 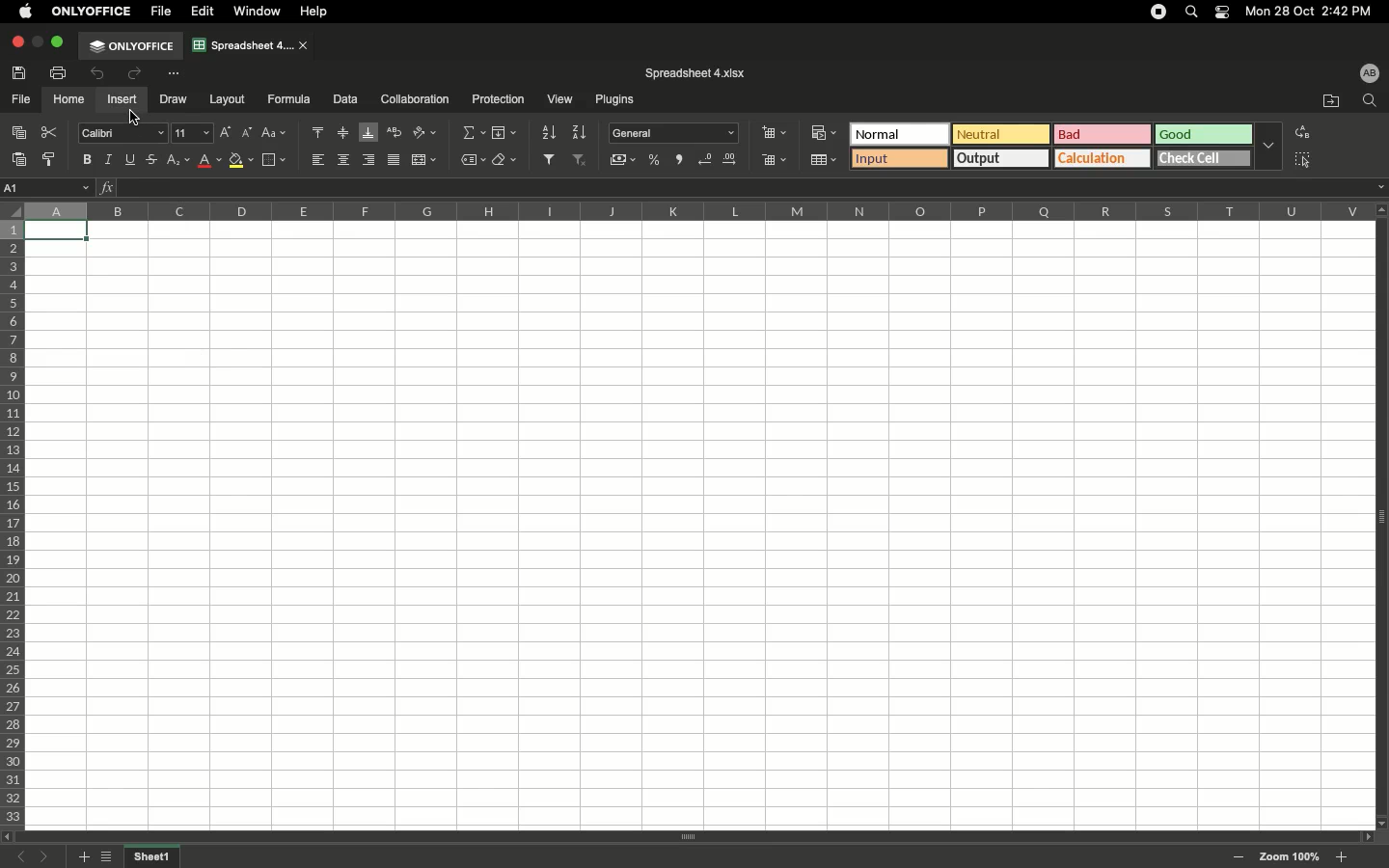 What do you see at coordinates (370, 160) in the screenshot?
I see `Align right` at bounding box center [370, 160].